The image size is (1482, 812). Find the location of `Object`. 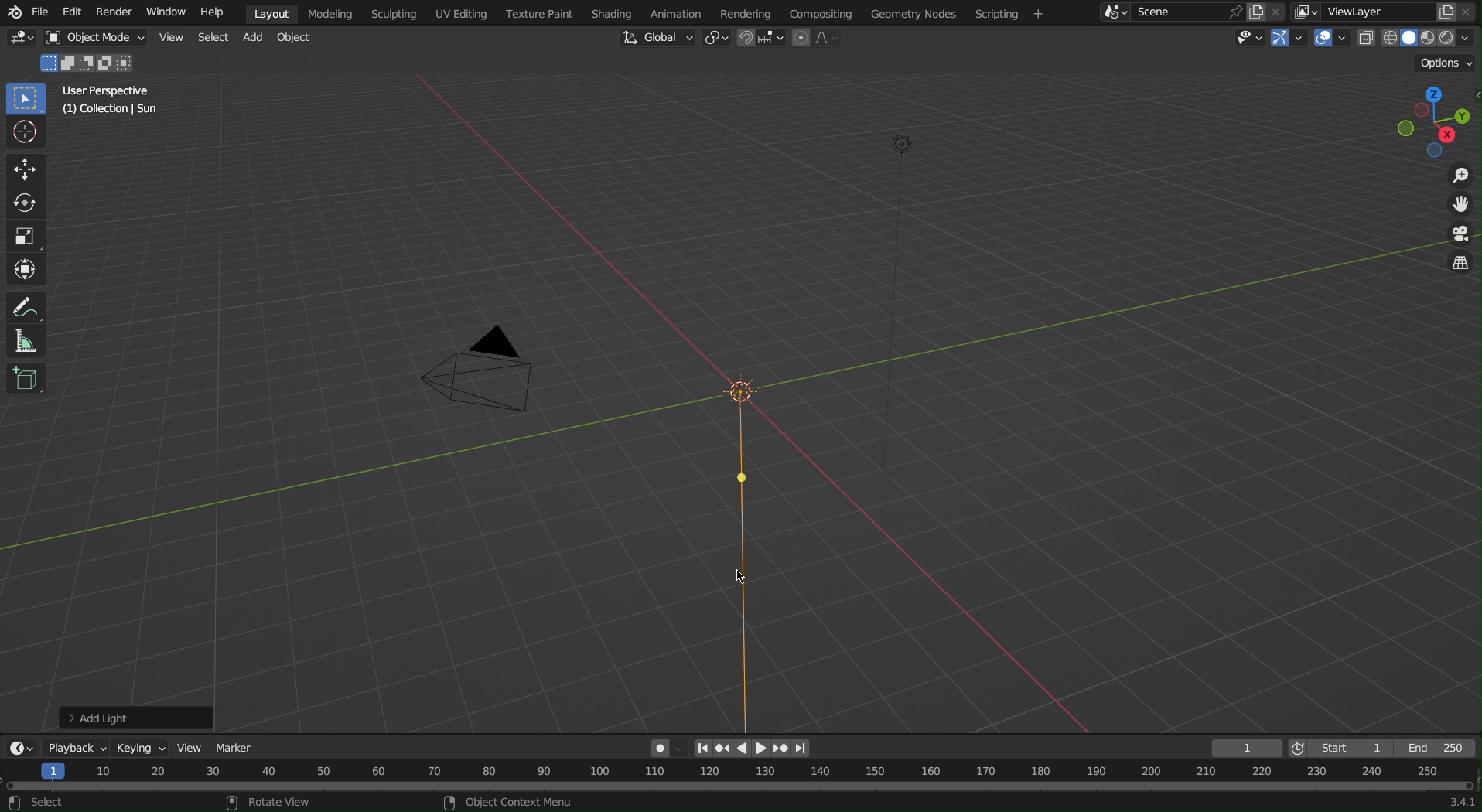

Object is located at coordinates (299, 39).